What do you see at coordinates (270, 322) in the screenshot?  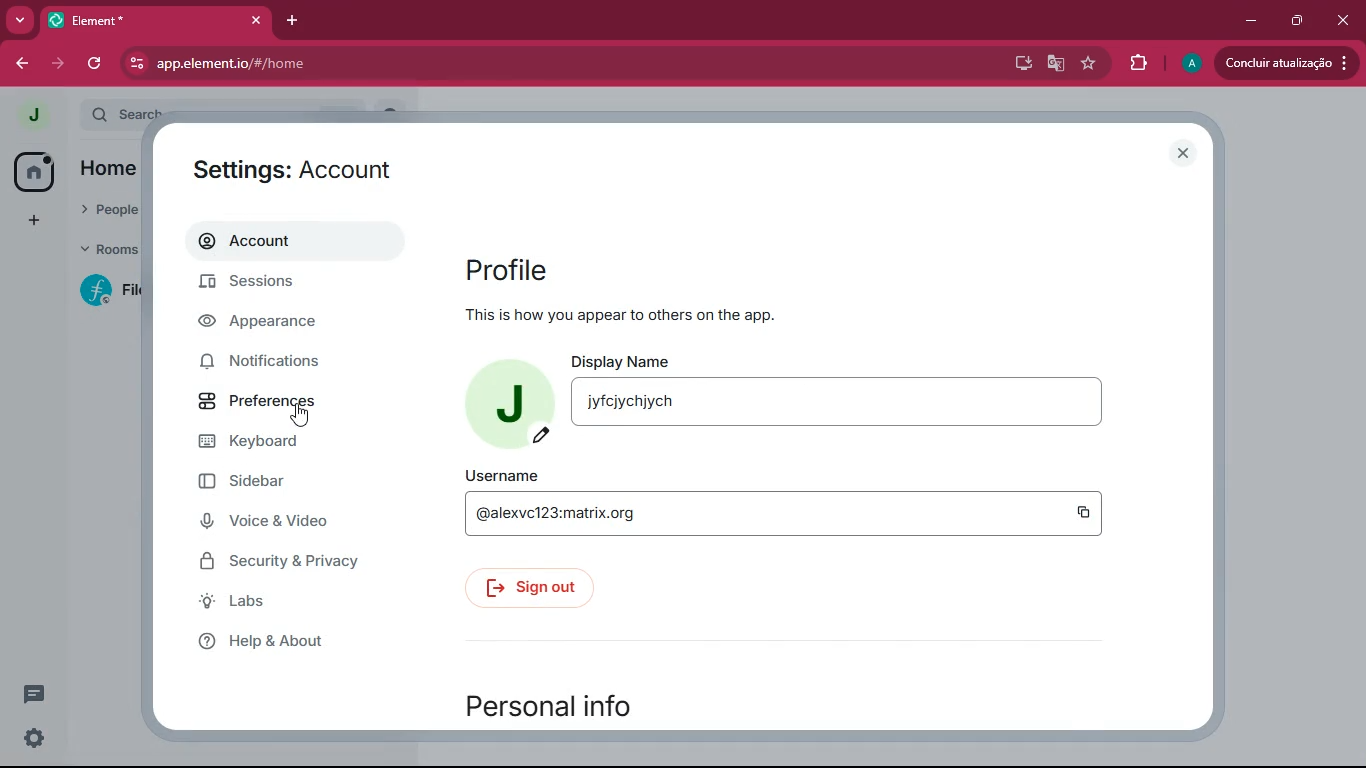 I see `appearance` at bounding box center [270, 322].